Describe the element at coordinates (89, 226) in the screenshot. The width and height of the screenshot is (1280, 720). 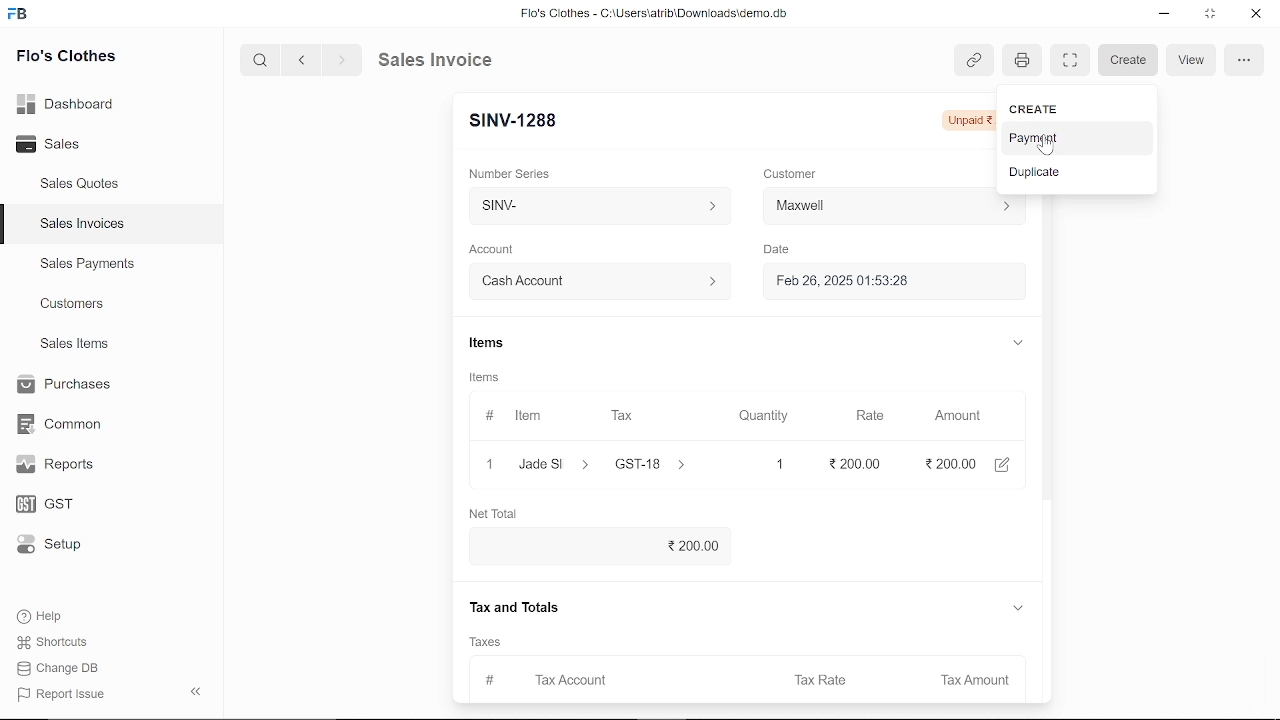
I see `Sales Invoices` at that location.